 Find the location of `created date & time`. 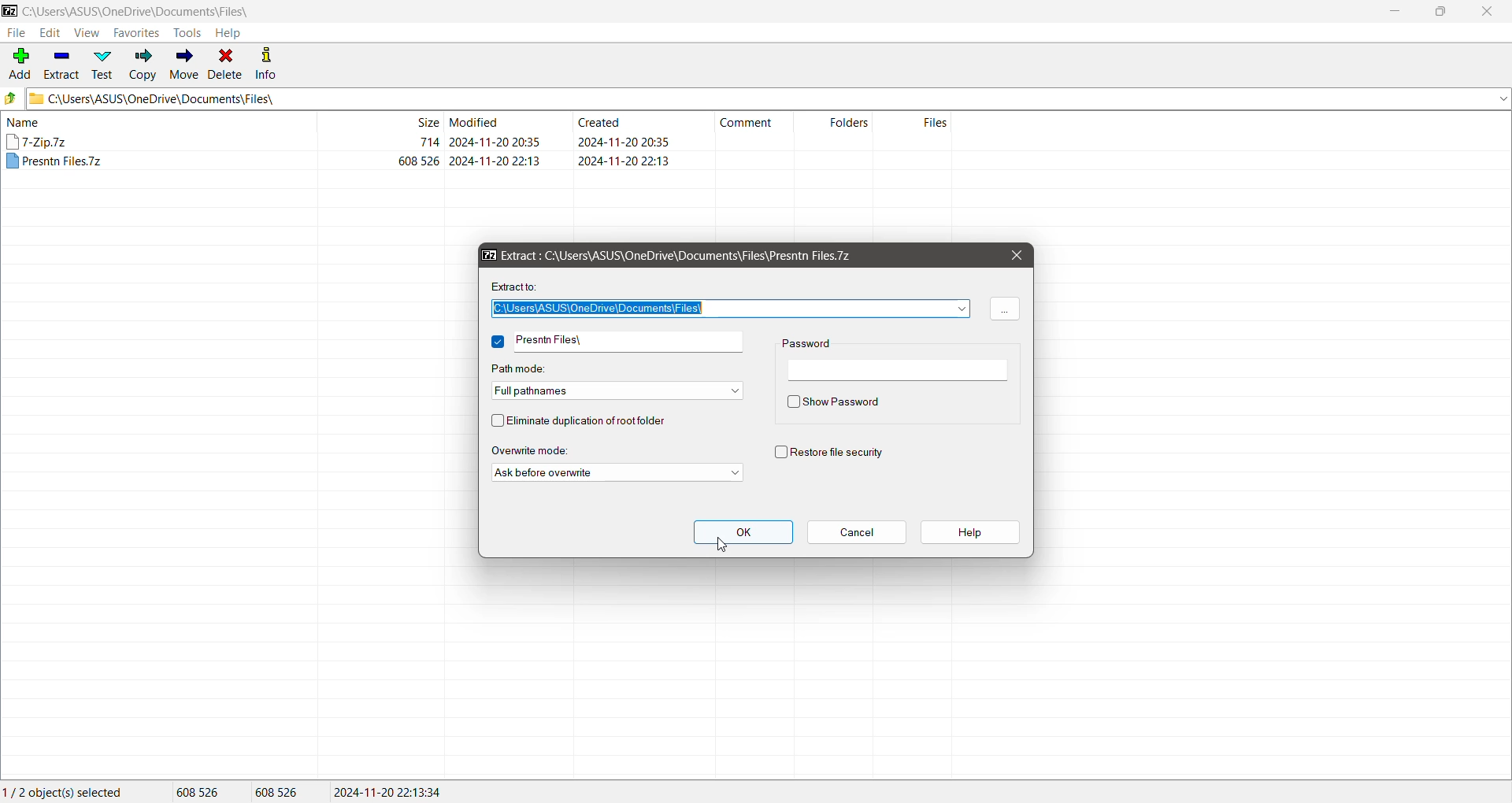

created date & time is located at coordinates (624, 160).